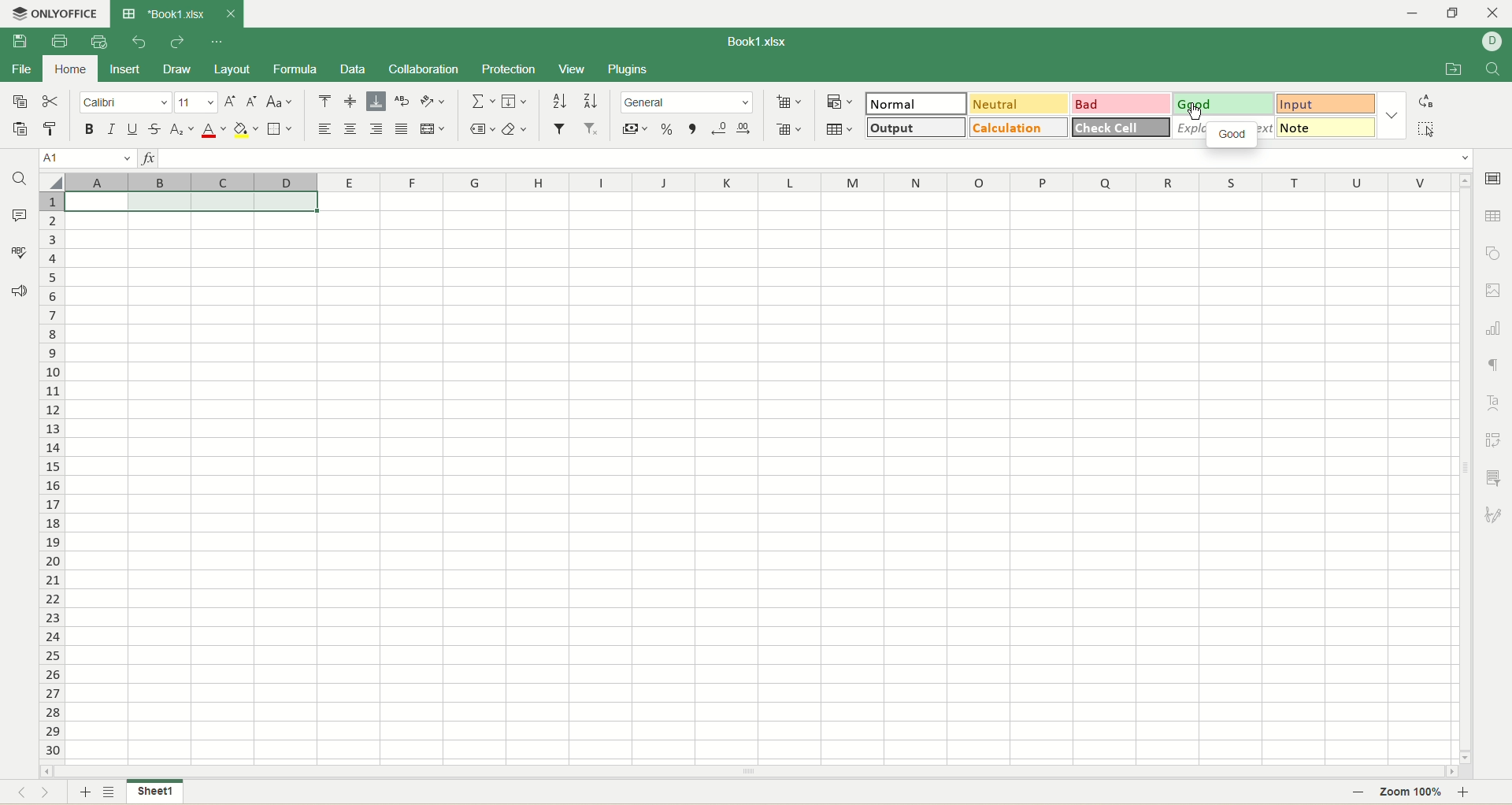 The image size is (1512, 805). I want to click on selected cells, so click(193, 202).